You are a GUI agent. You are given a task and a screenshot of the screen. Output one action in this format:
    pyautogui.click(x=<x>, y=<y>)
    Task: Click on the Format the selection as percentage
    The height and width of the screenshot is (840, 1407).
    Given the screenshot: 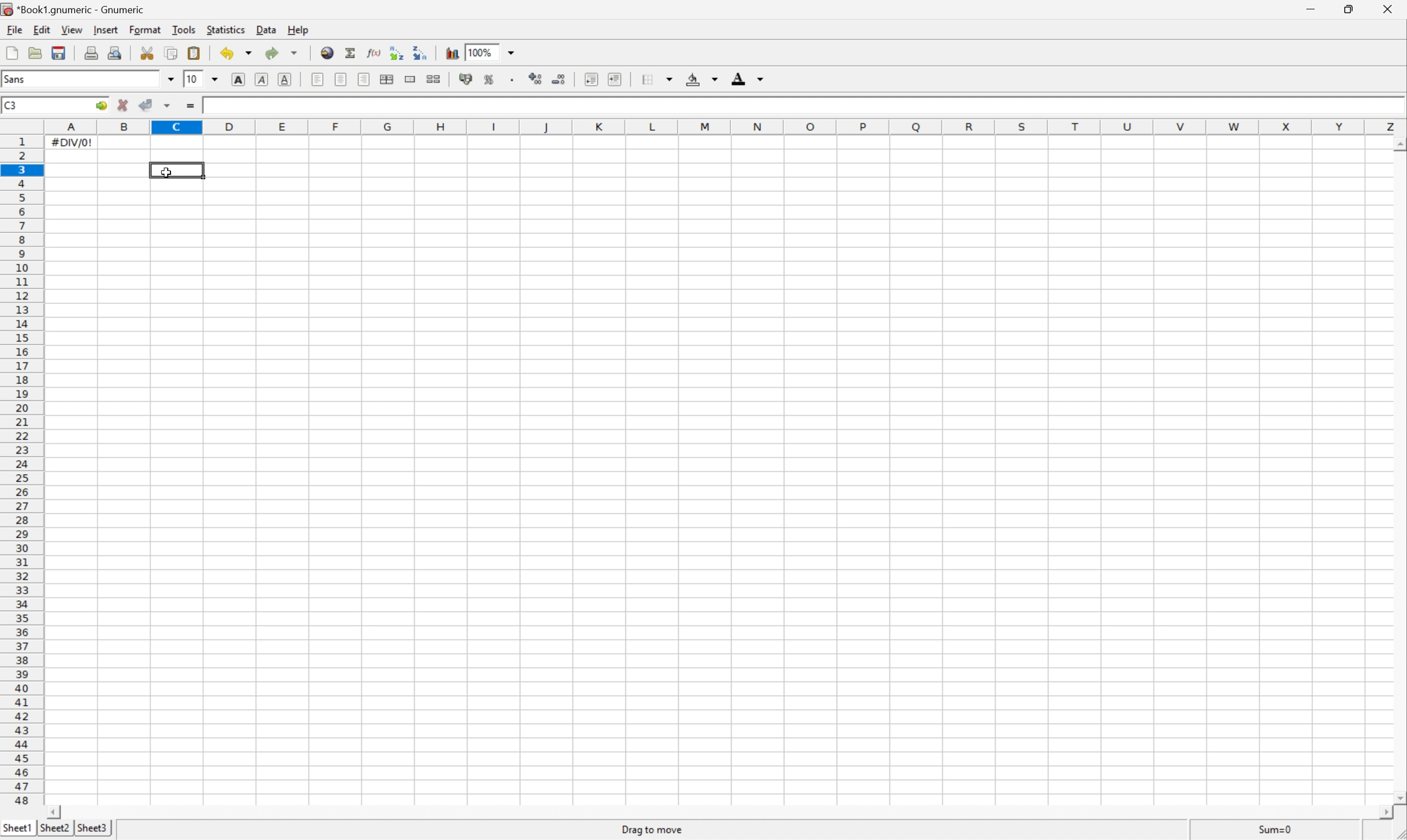 What is the action you would take?
    pyautogui.click(x=490, y=79)
    